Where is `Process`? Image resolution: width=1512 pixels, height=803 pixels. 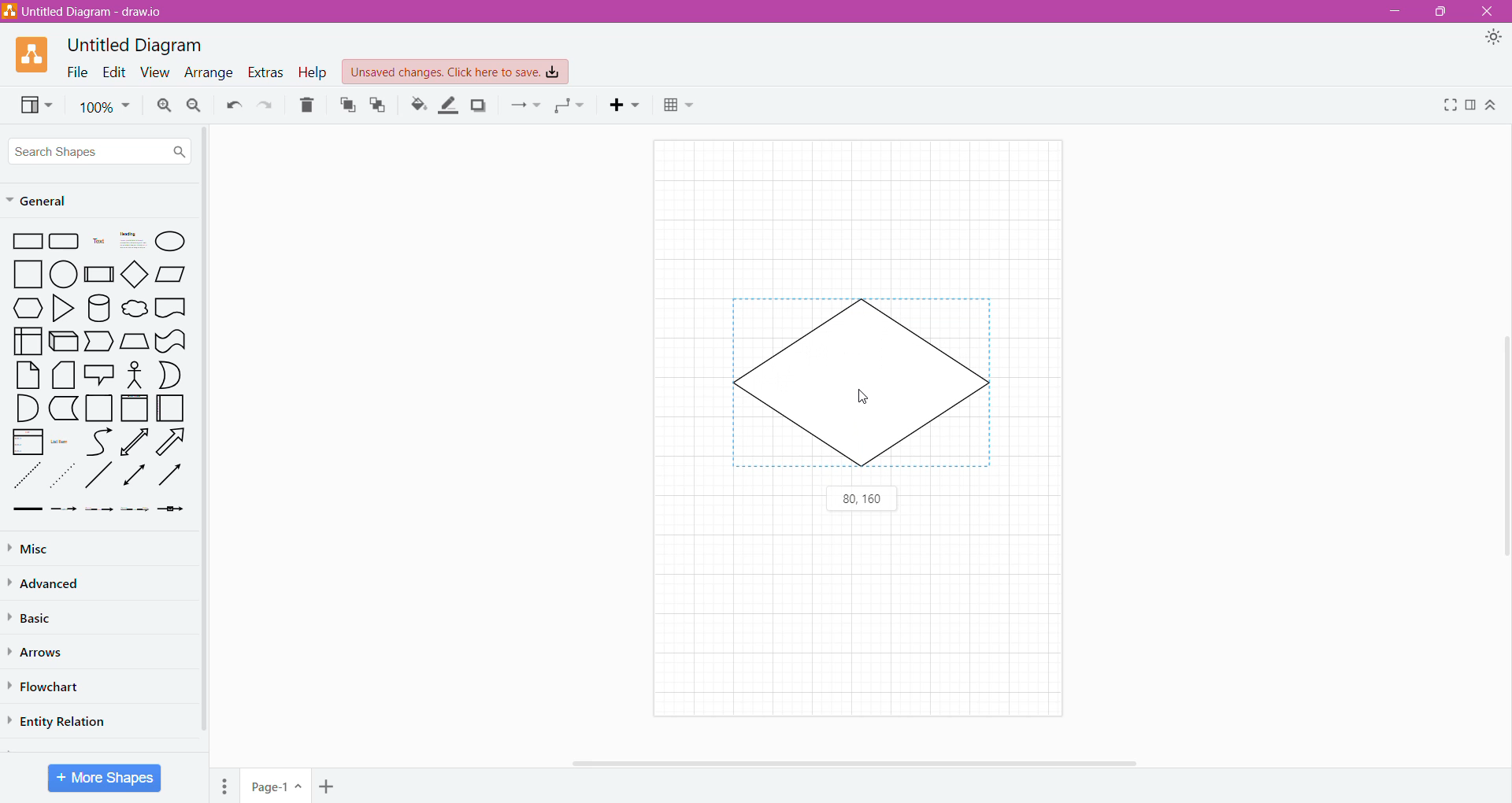 Process is located at coordinates (100, 273).